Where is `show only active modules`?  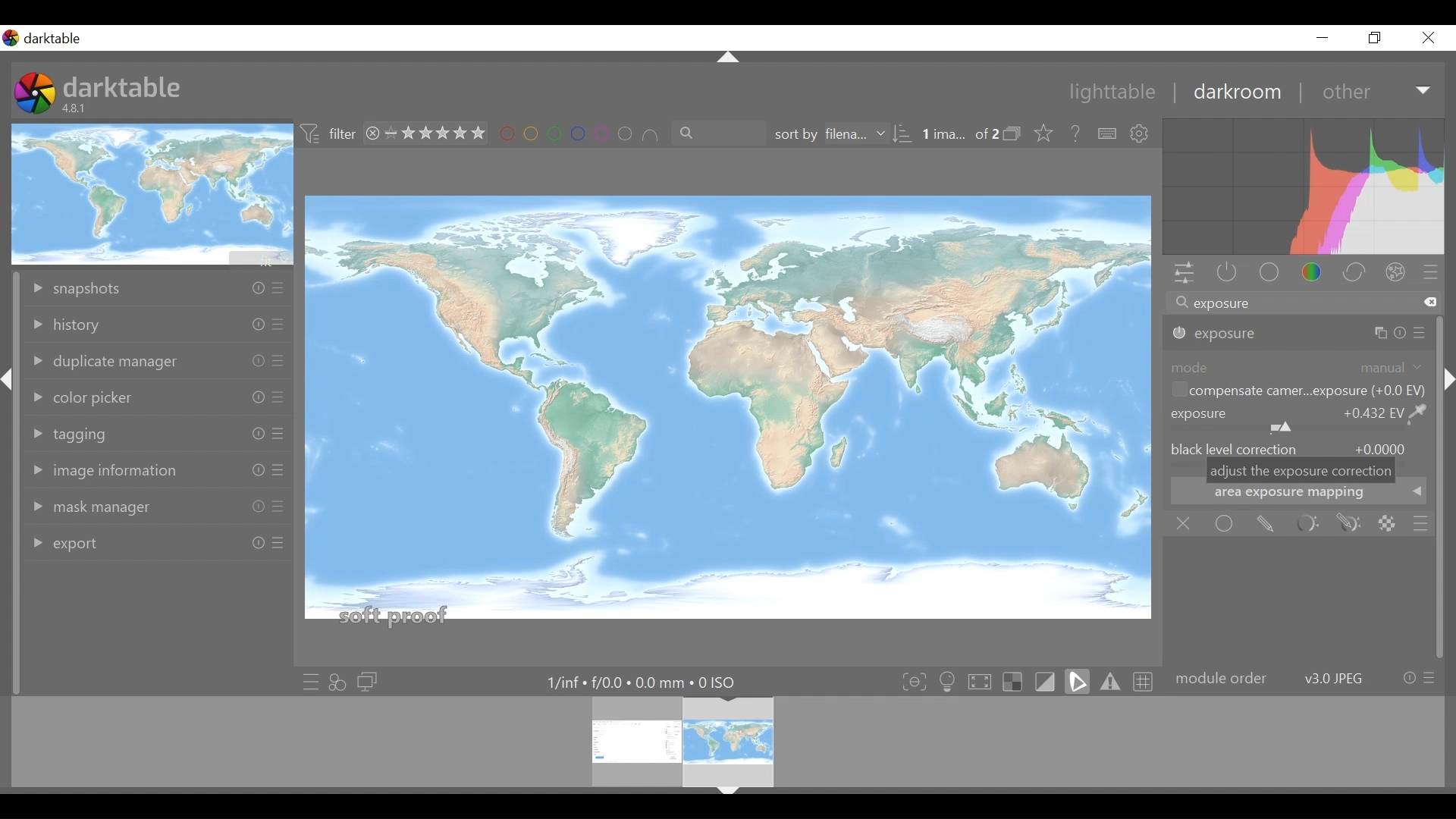 show only active modules is located at coordinates (1223, 274).